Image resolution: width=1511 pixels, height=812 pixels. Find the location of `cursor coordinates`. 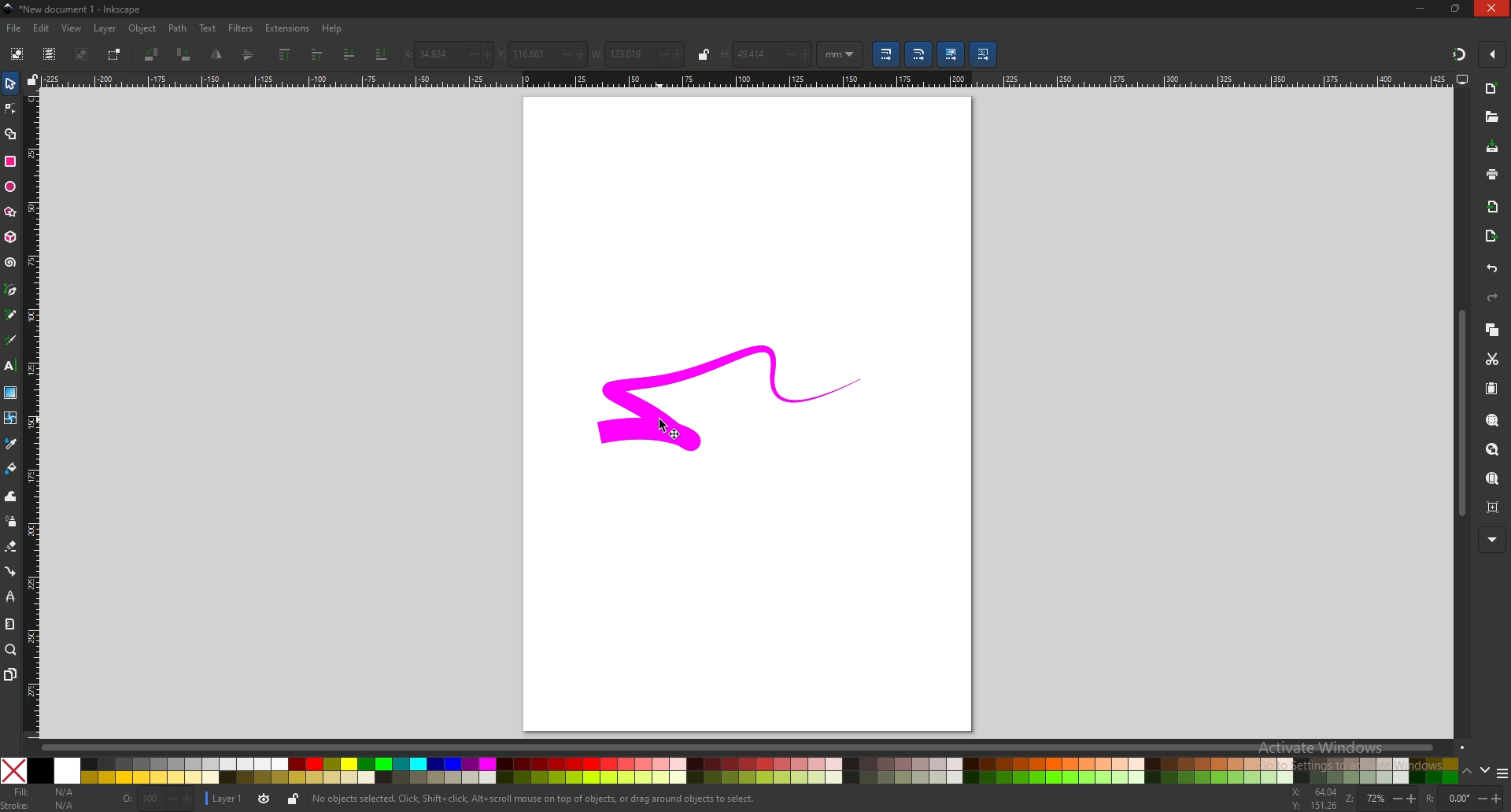

cursor coordinates is located at coordinates (1314, 799).